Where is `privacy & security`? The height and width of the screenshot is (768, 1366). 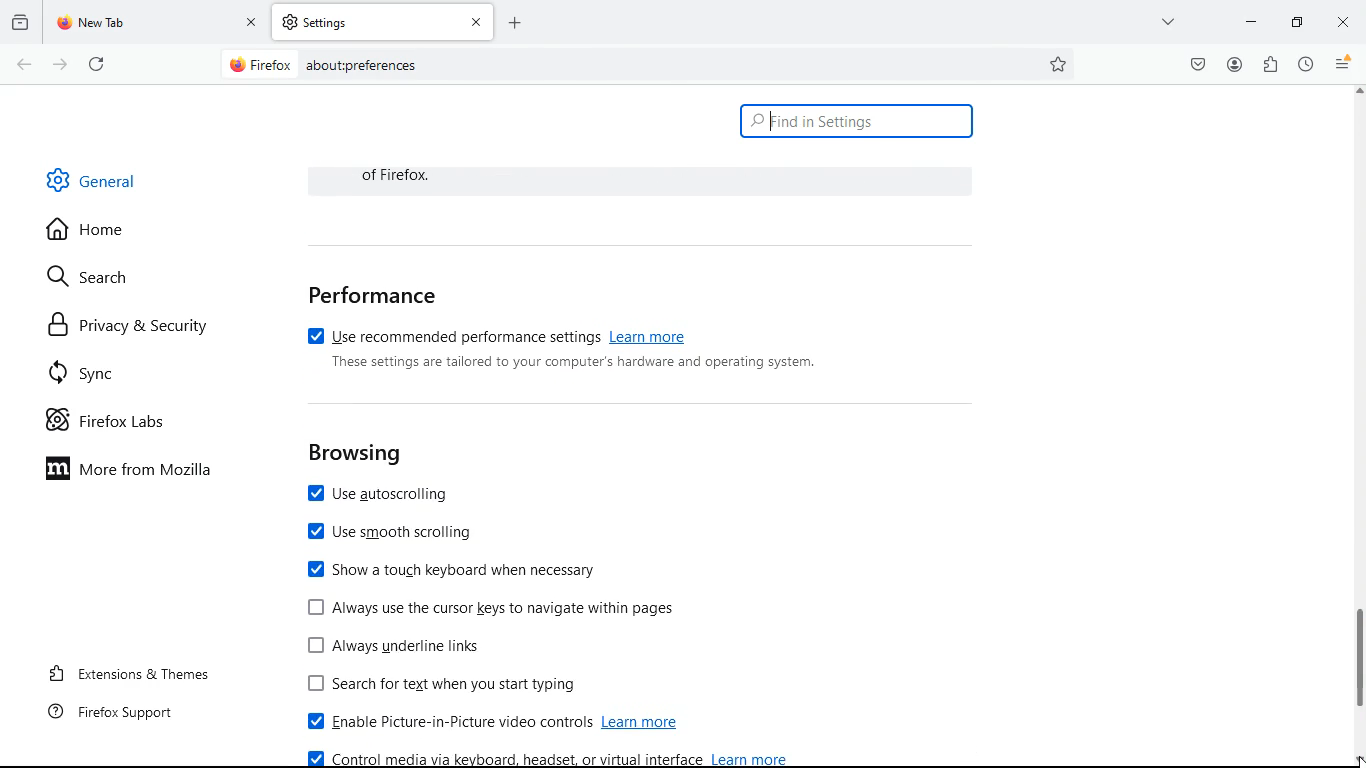 privacy & security is located at coordinates (130, 325).